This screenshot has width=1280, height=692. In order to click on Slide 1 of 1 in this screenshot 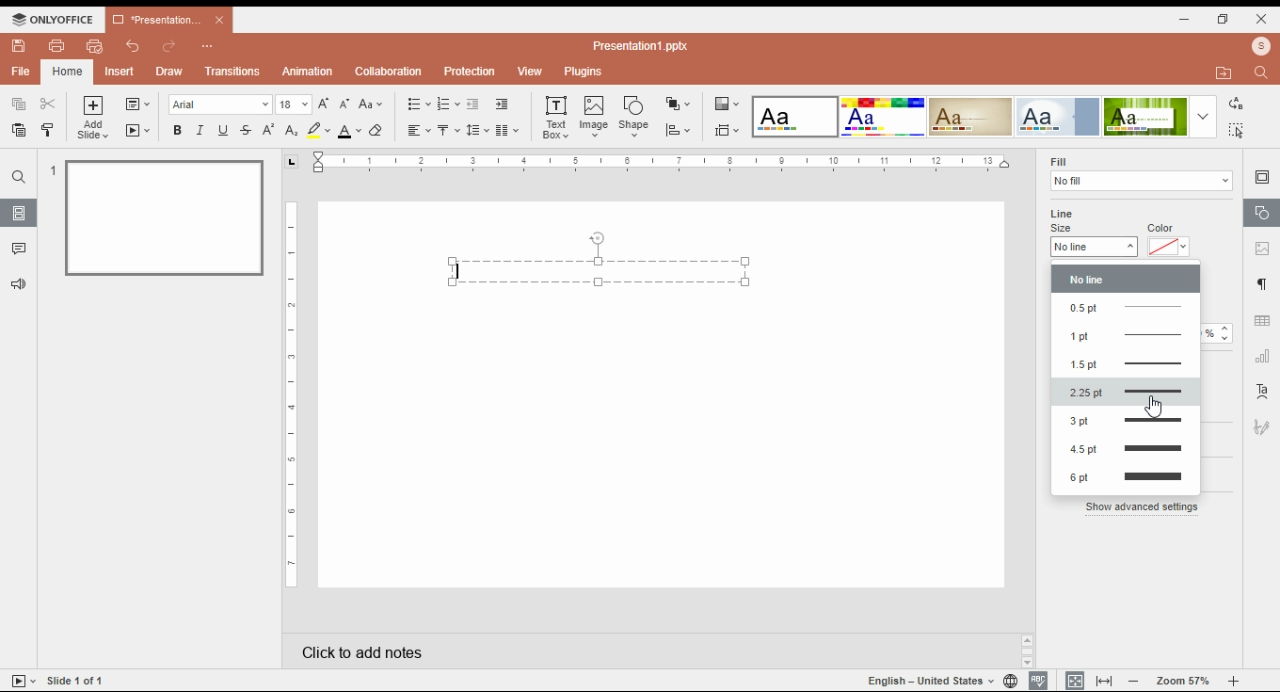, I will do `click(76, 680)`.